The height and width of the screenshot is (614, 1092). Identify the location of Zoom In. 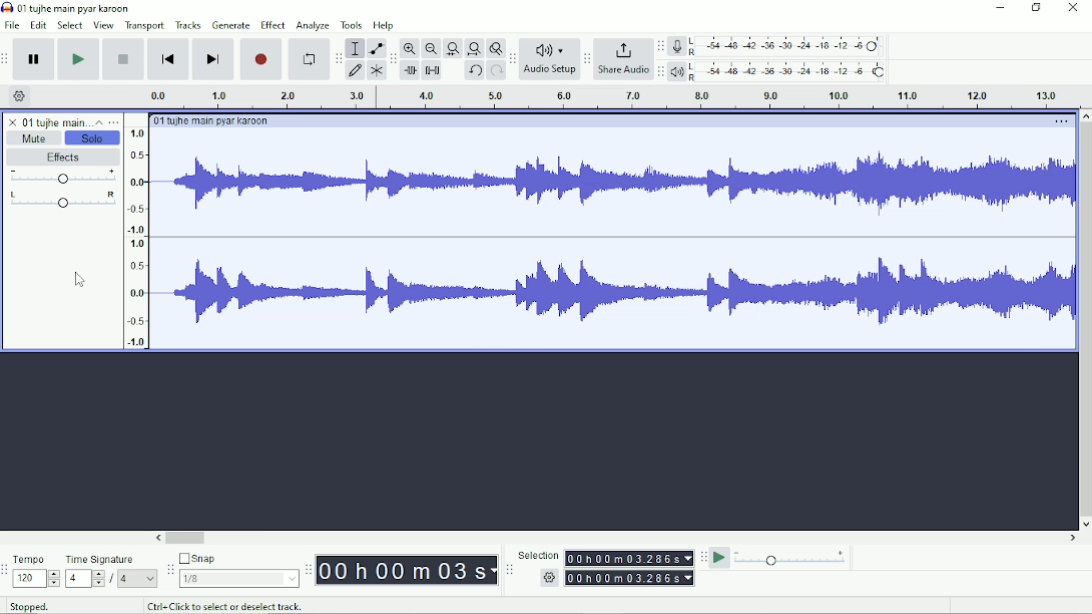
(409, 49).